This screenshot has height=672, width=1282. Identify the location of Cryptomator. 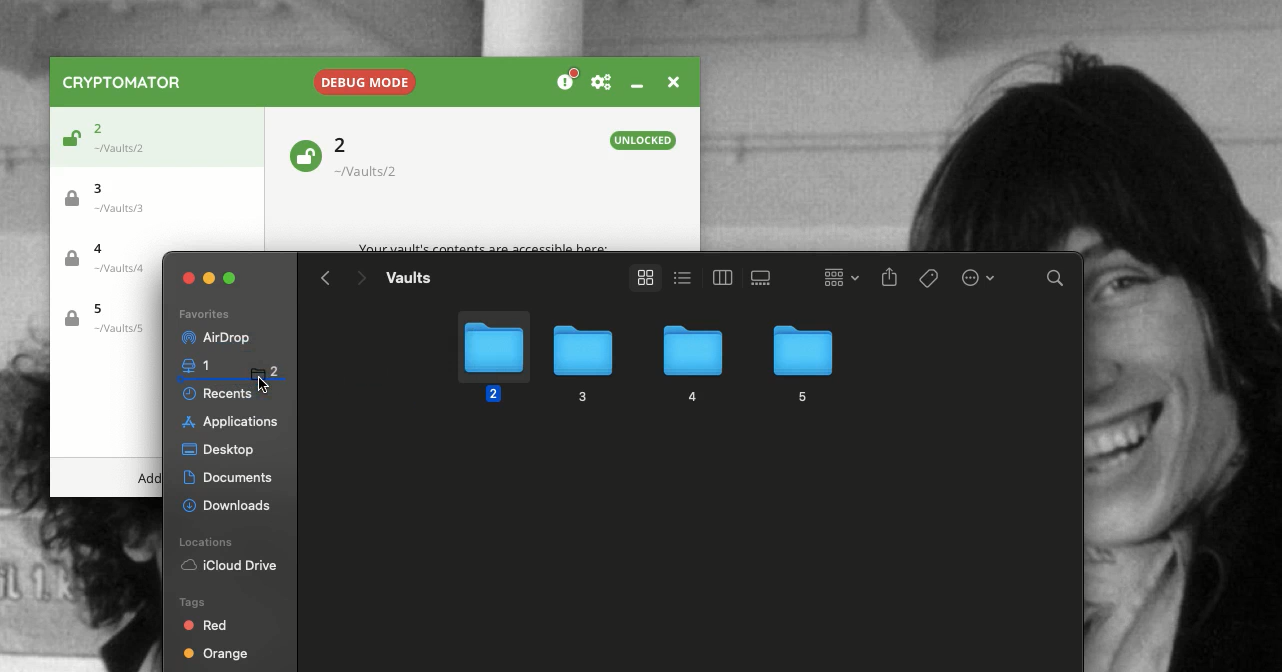
(123, 82).